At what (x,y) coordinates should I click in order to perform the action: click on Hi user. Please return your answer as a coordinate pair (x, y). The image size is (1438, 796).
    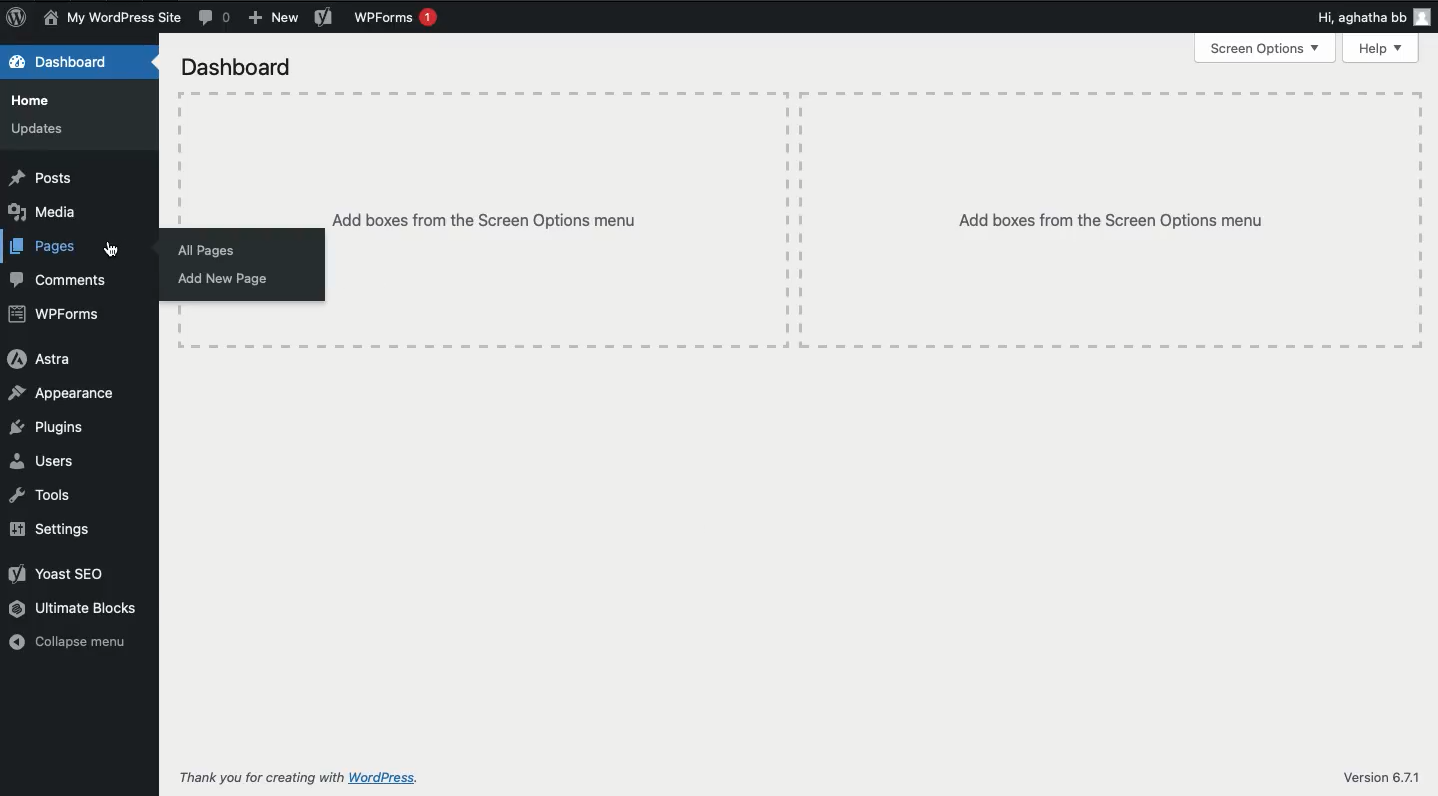
    Looking at the image, I should click on (1374, 18).